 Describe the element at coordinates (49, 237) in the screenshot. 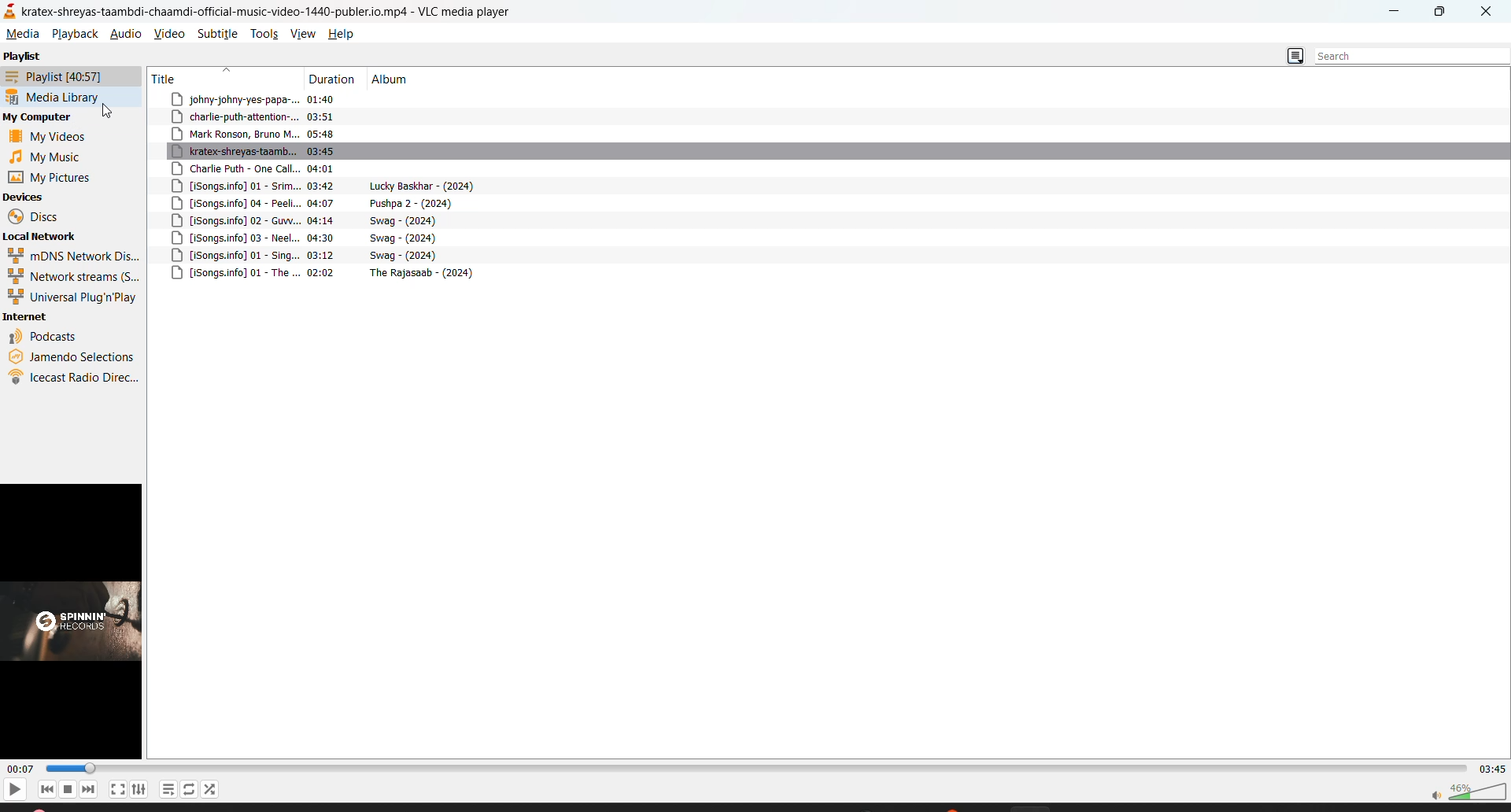

I see `local network` at that location.